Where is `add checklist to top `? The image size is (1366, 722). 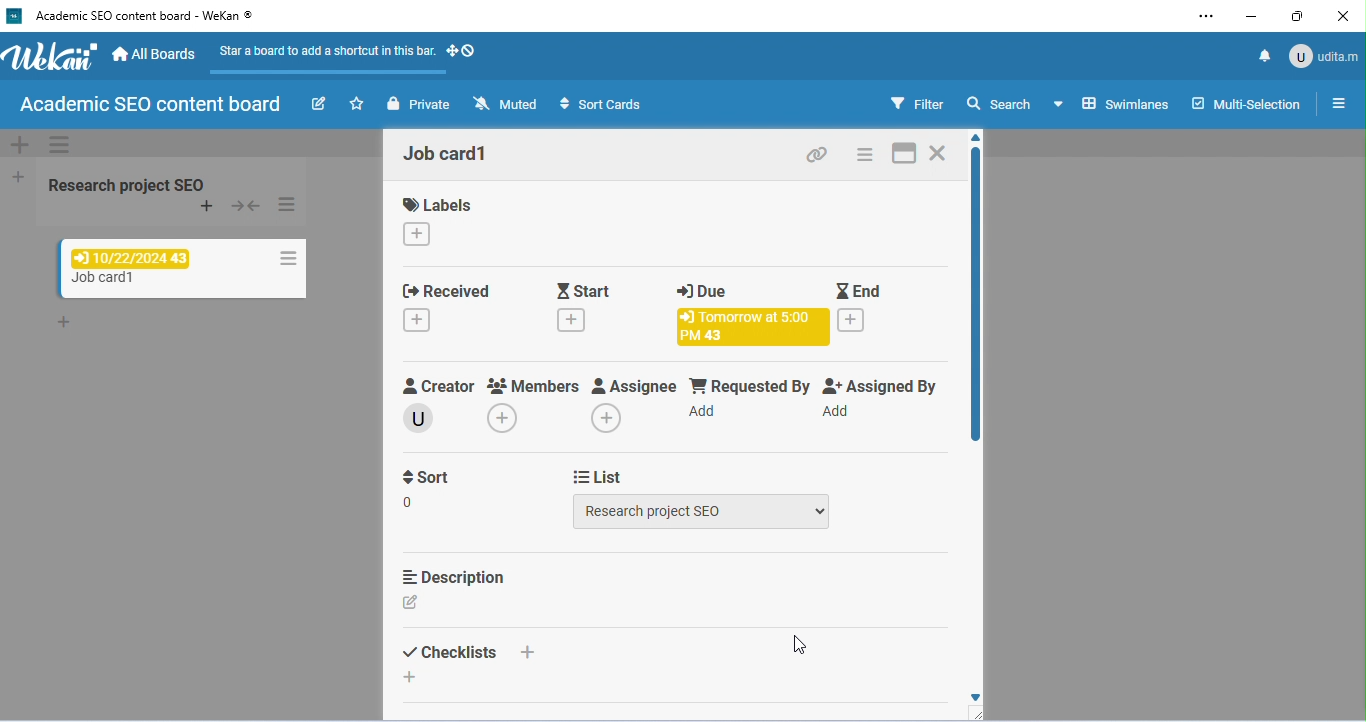
add checklist to top  is located at coordinates (528, 652).